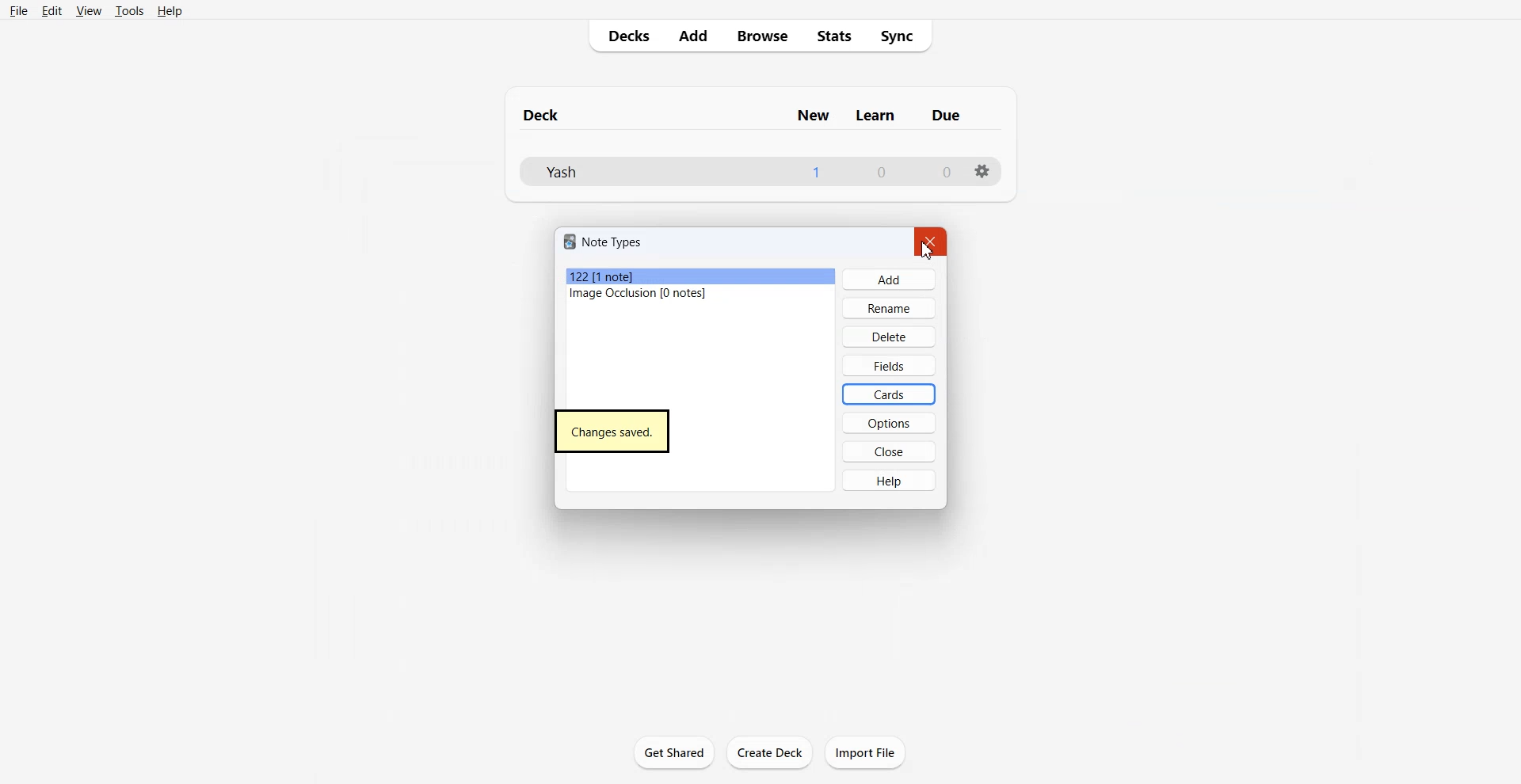  Describe the element at coordinates (888, 365) in the screenshot. I see `Fields` at that location.